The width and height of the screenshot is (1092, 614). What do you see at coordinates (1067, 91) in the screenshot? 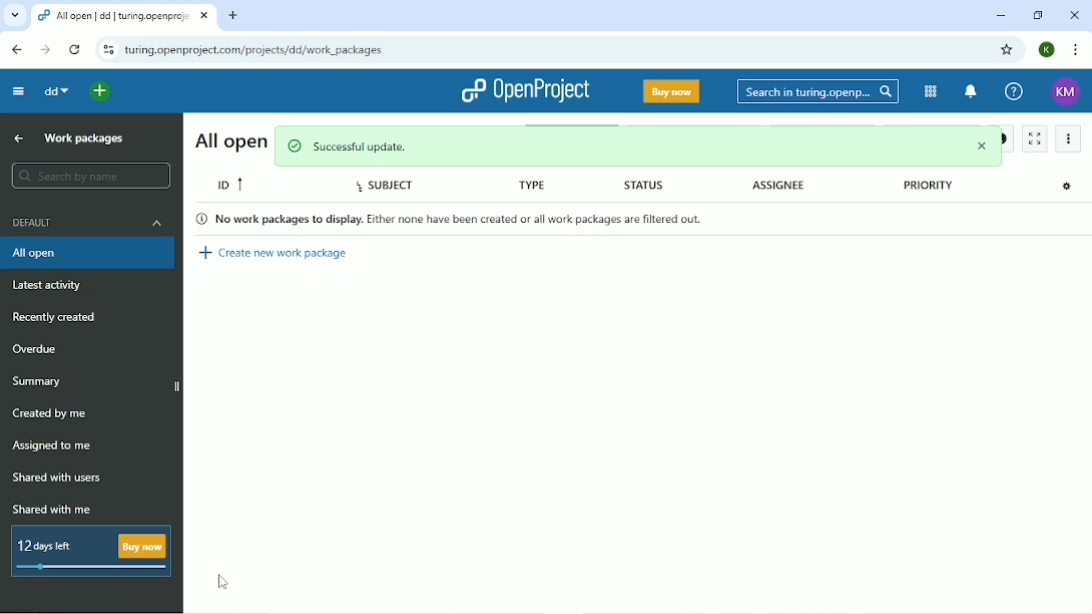
I see `KM` at bounding box center [1067, 91].